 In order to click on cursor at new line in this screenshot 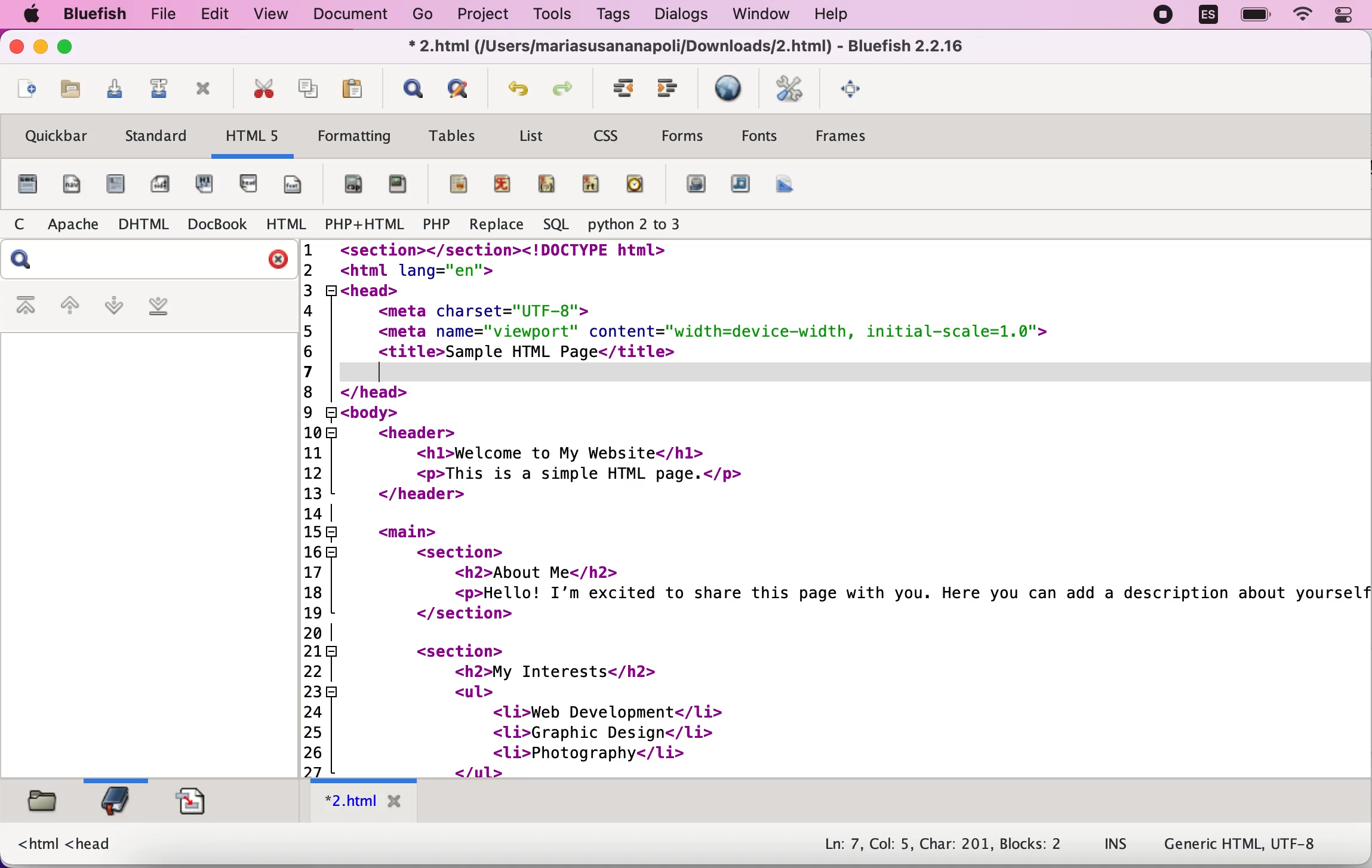, I will do `click(374, 373)`.